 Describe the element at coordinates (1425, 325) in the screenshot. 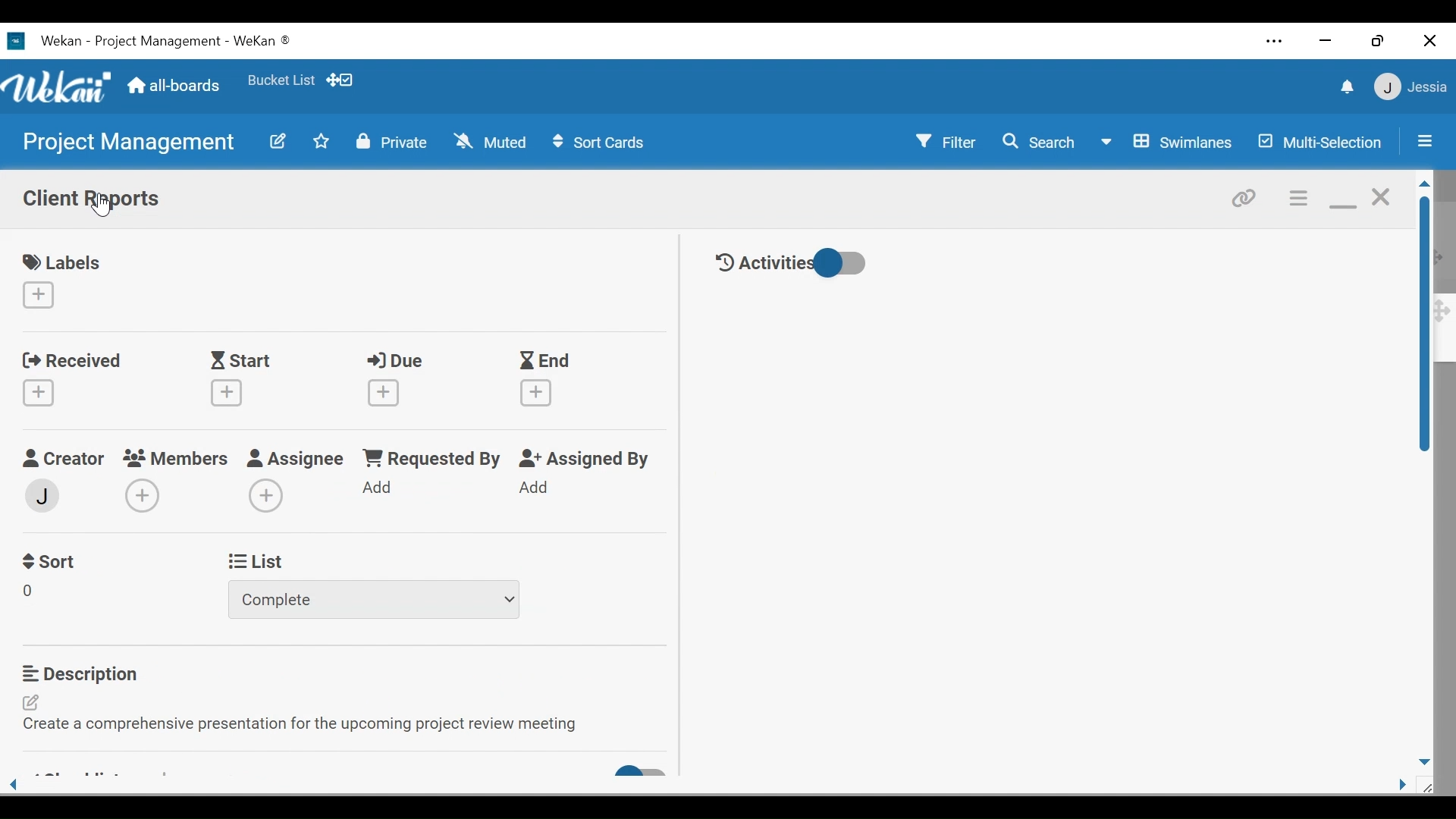

I see `Vertical Scroll bar` at that location.